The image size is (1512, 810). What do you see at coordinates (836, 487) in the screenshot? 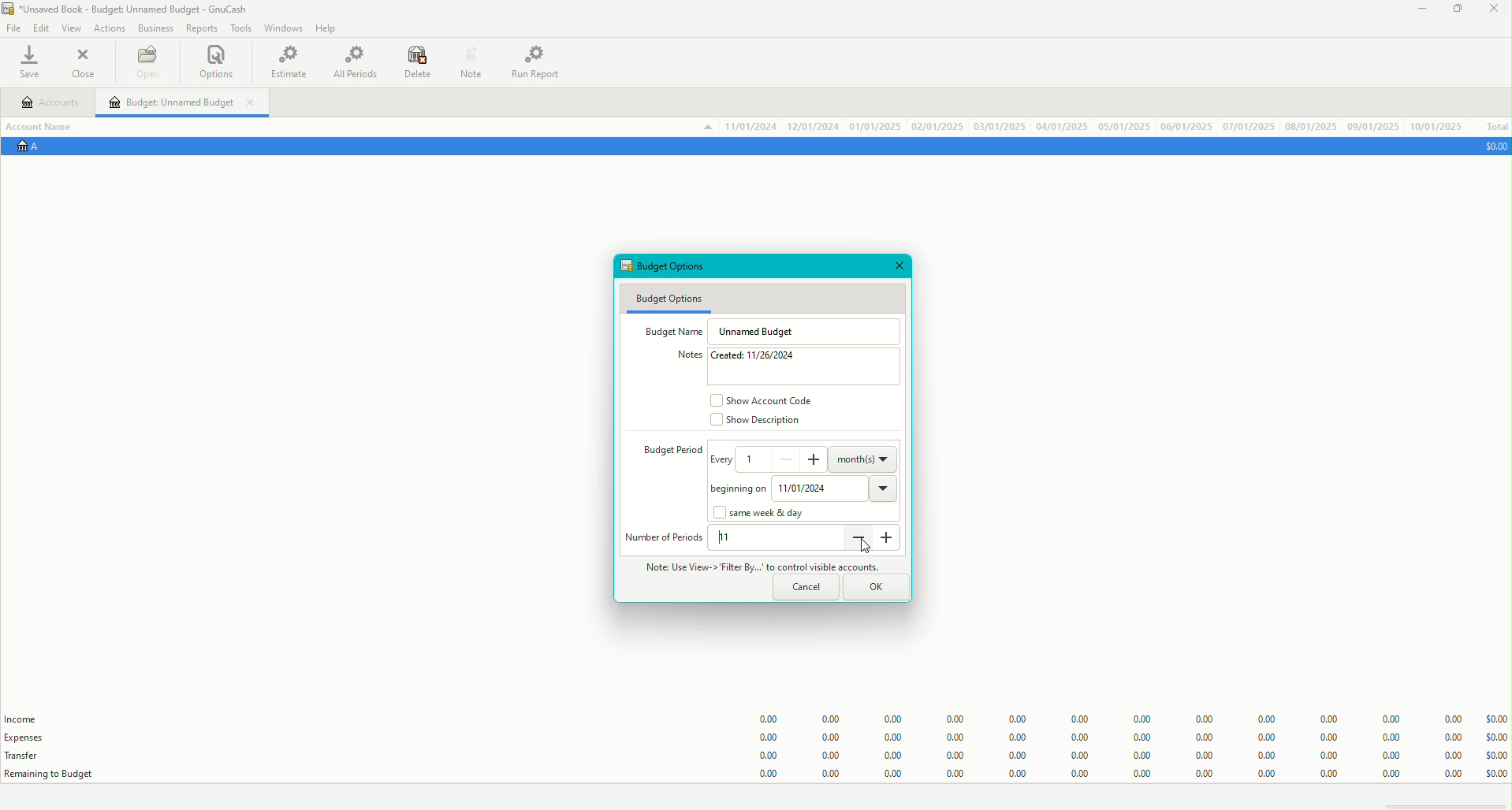
I see `11/01/2024` at bounding box center [836, 487].